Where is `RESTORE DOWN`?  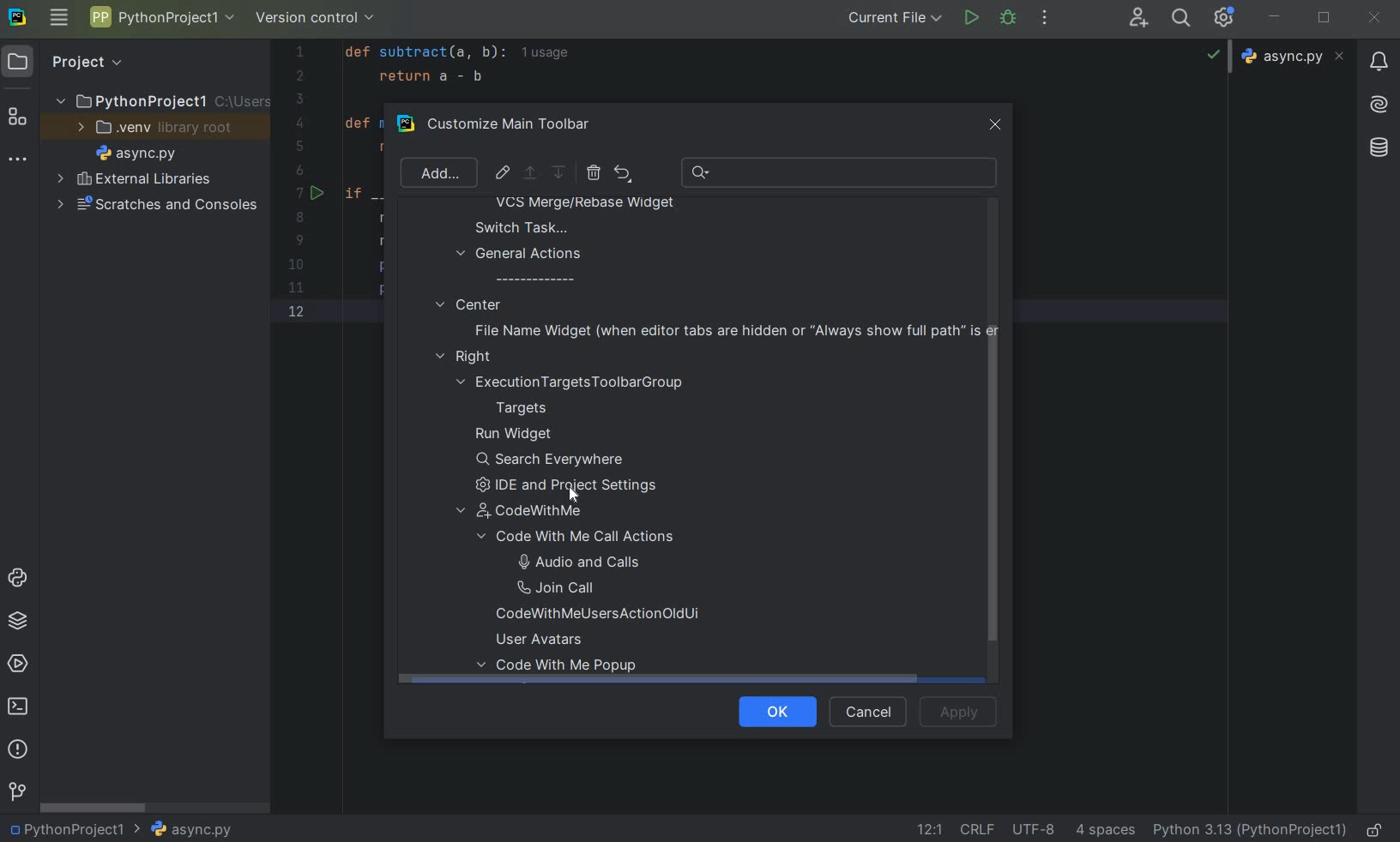 RESTORE DOWN is located at coordinates (1325, 15).